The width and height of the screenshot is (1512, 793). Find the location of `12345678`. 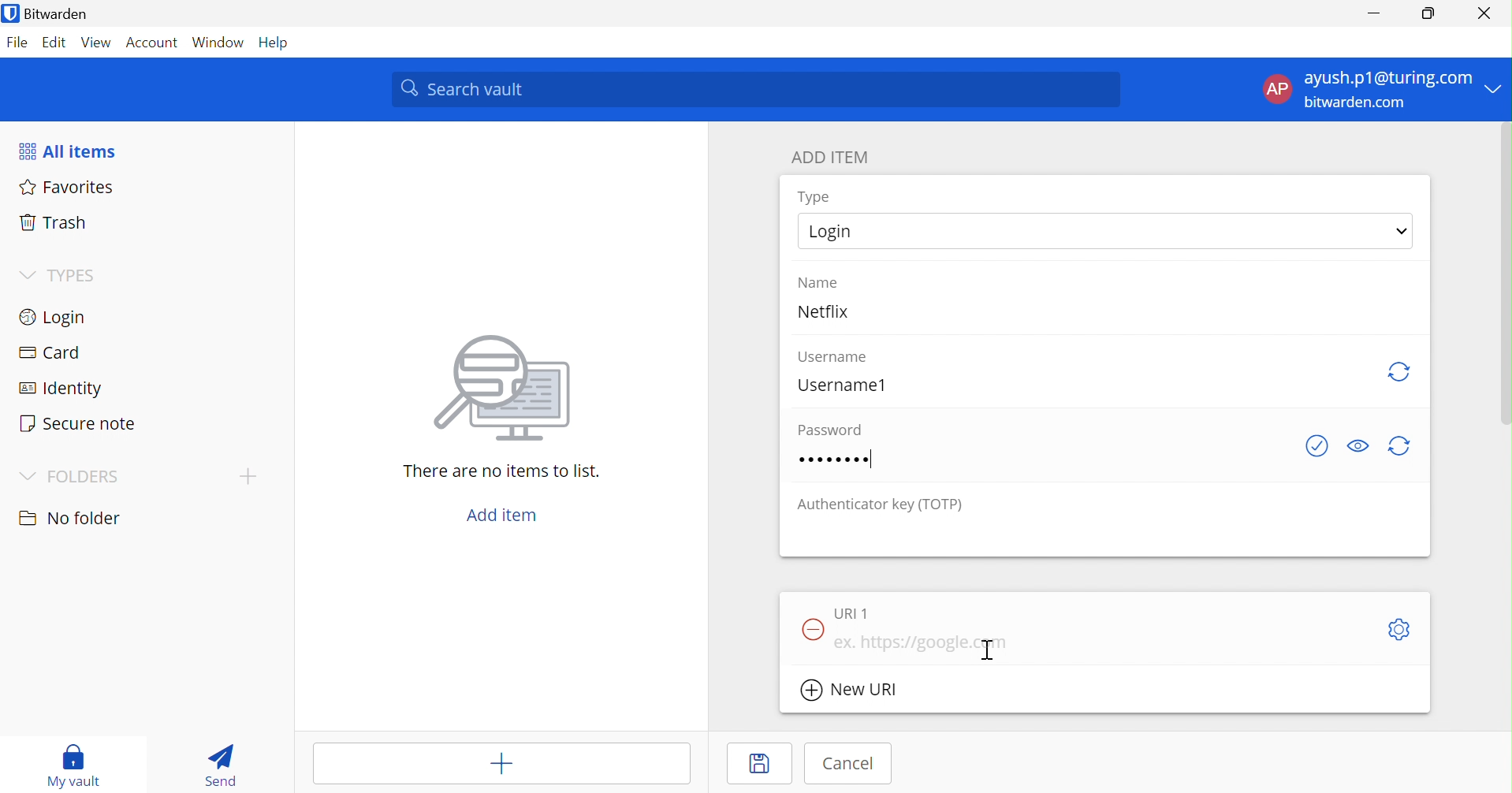

12345678 is located at coordinates (836, 459).